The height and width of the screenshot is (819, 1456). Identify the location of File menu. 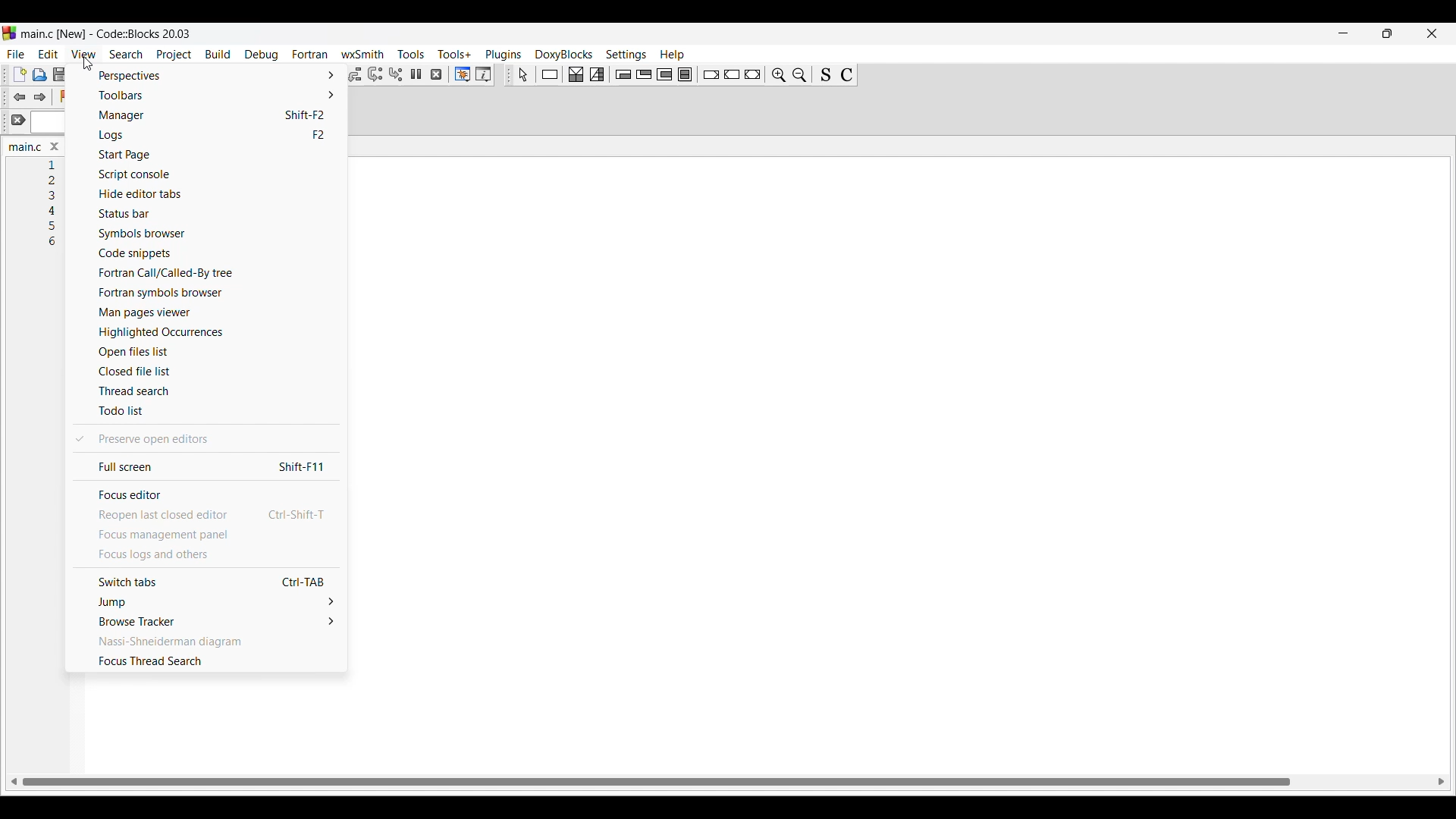
(14, 54).